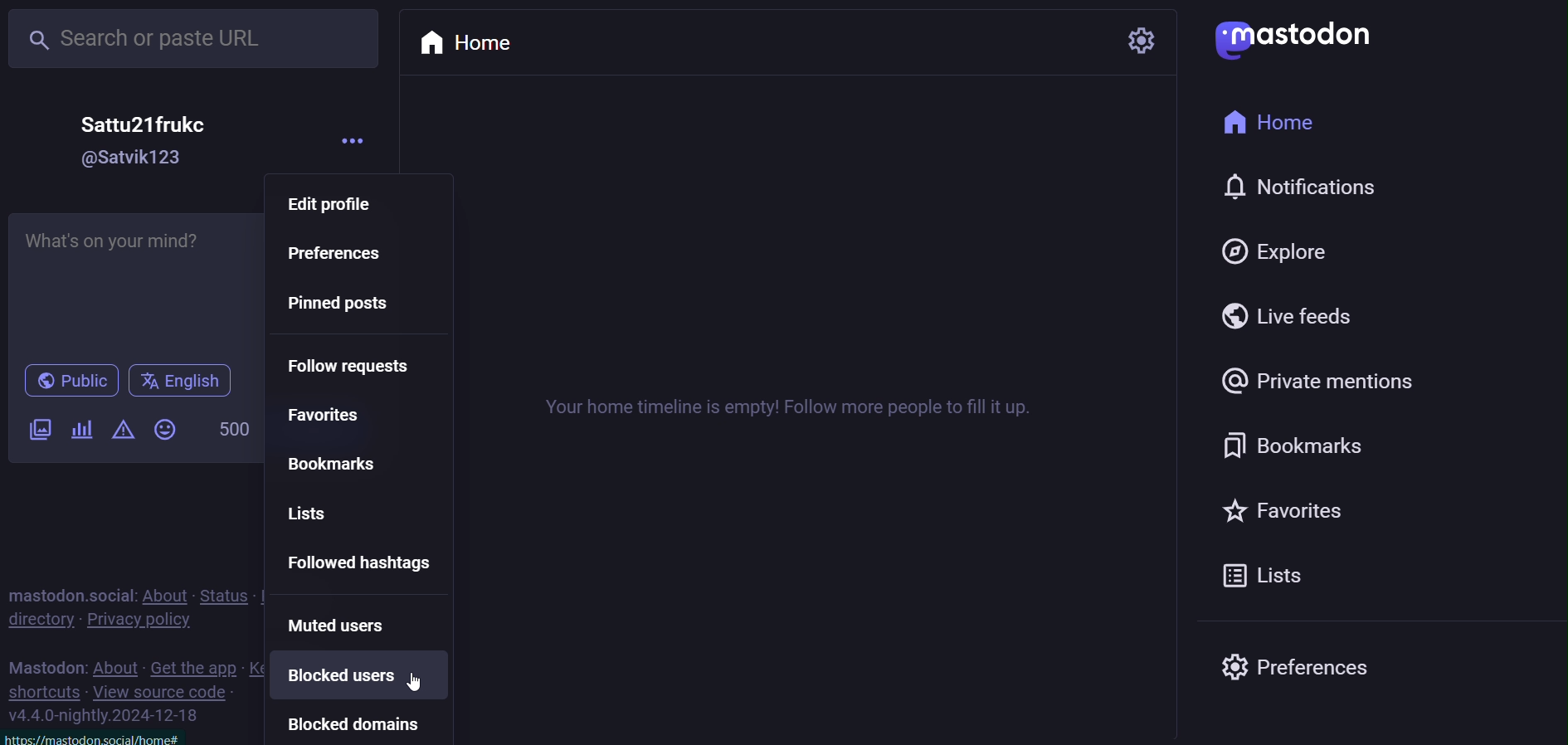 The height and width of the screenshot is (745, 1568). I want to click on about, so click(113, 663).